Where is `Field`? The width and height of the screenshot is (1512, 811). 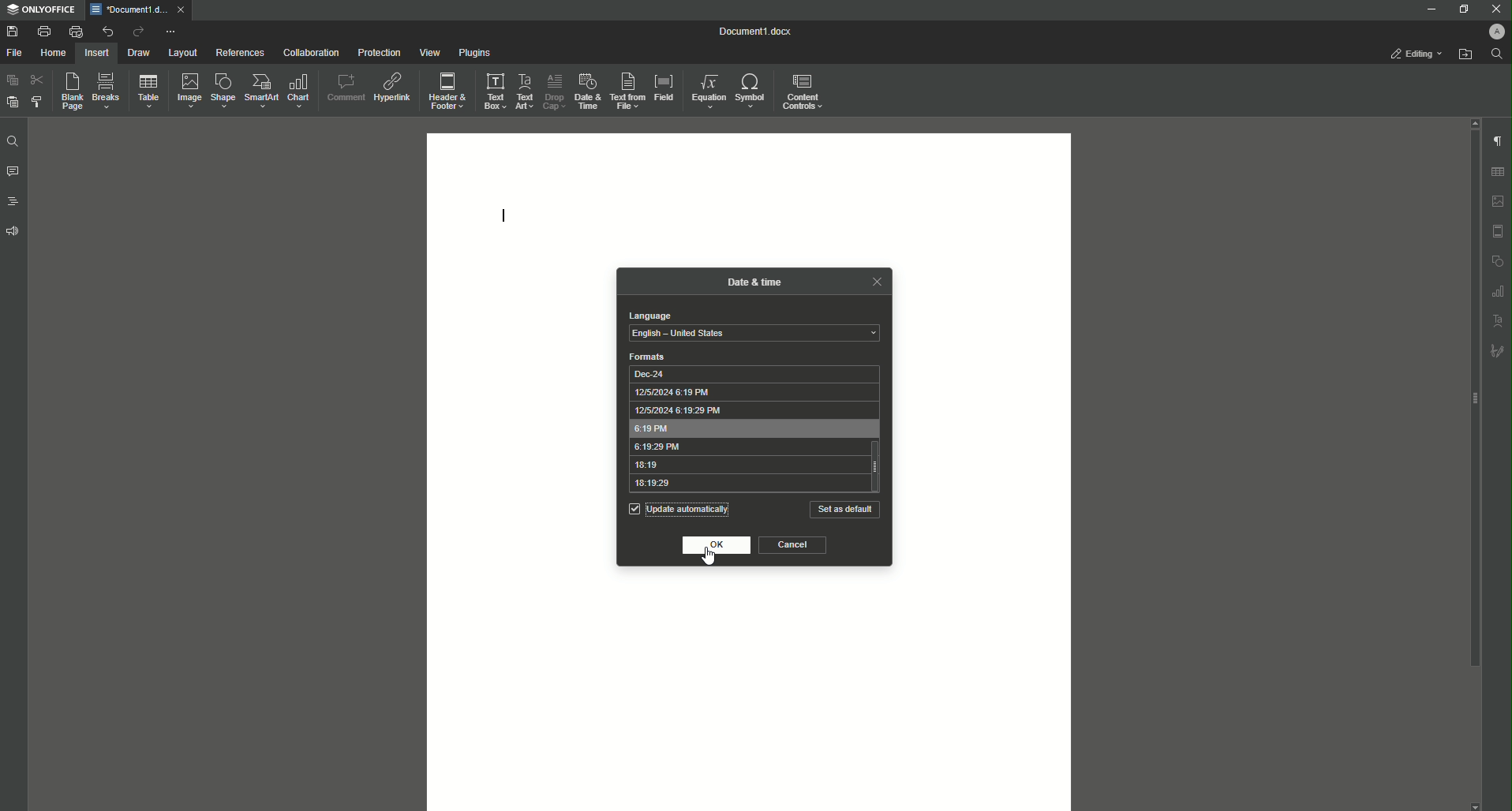
Field is located at coordinates (664, 88).